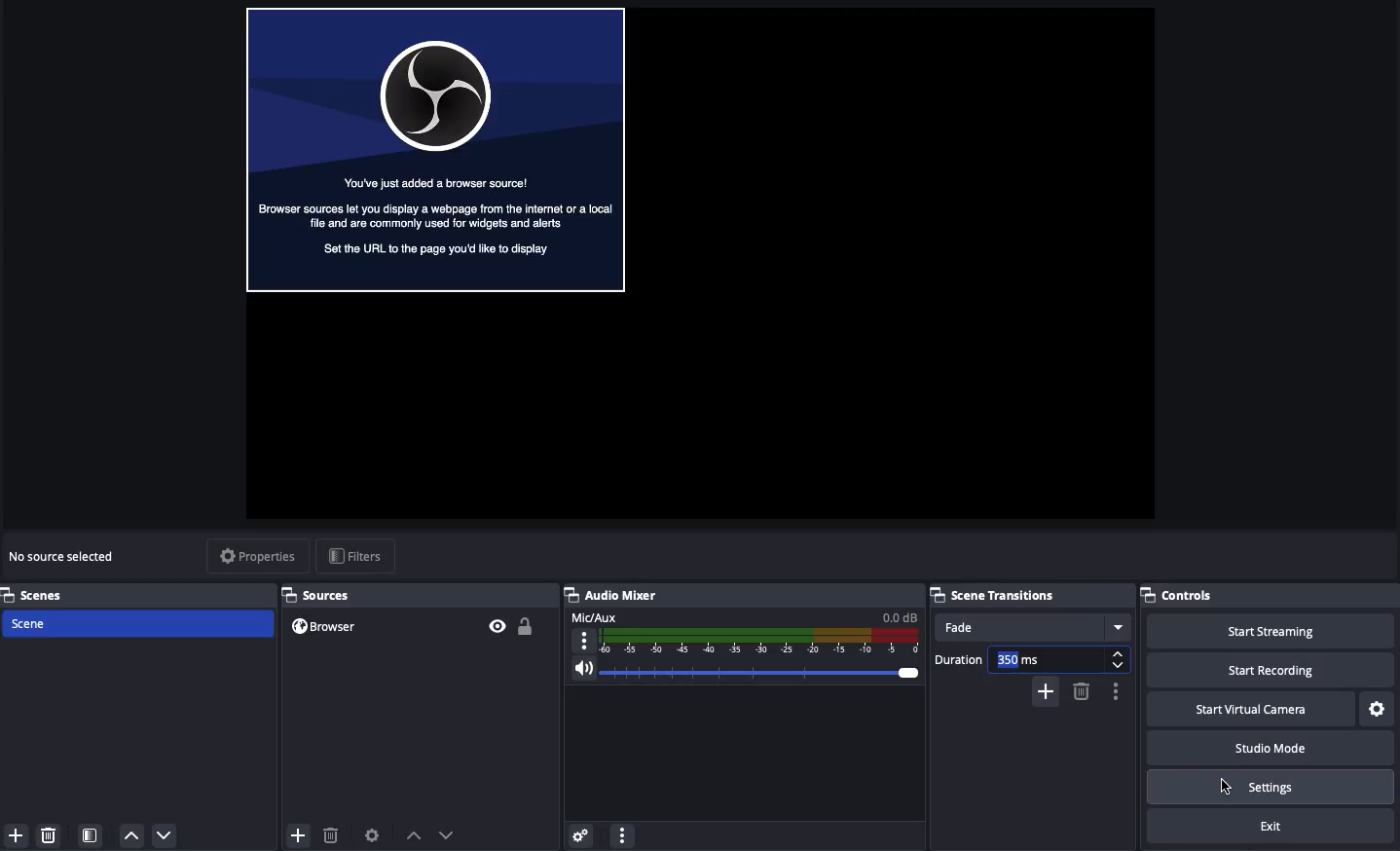  Describe the element at coordinates (46, 595) in the screenshot. I see `Scenes` at that location.